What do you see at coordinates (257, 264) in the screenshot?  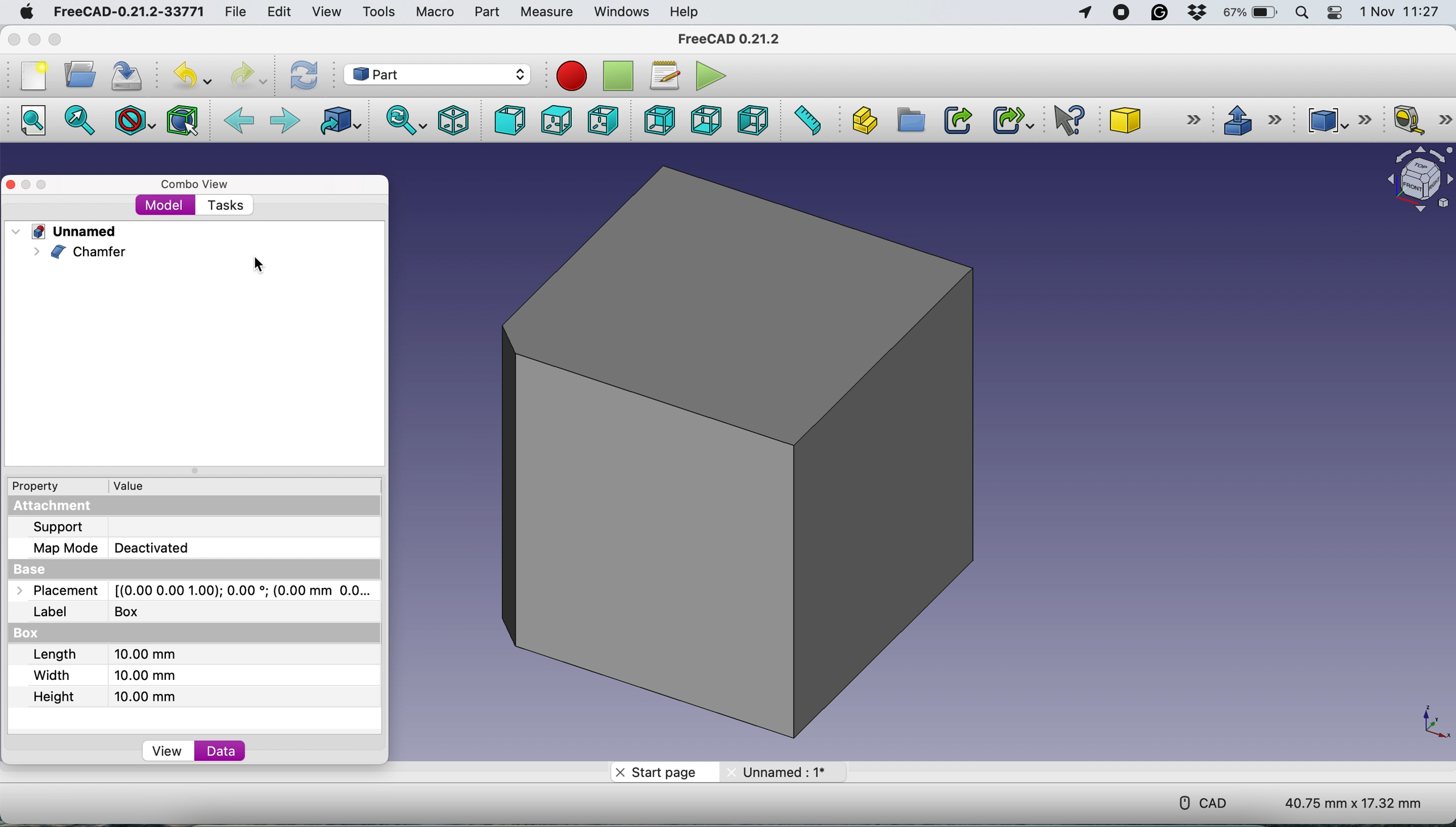 I see `cursor` at bounding box center [257, 264].